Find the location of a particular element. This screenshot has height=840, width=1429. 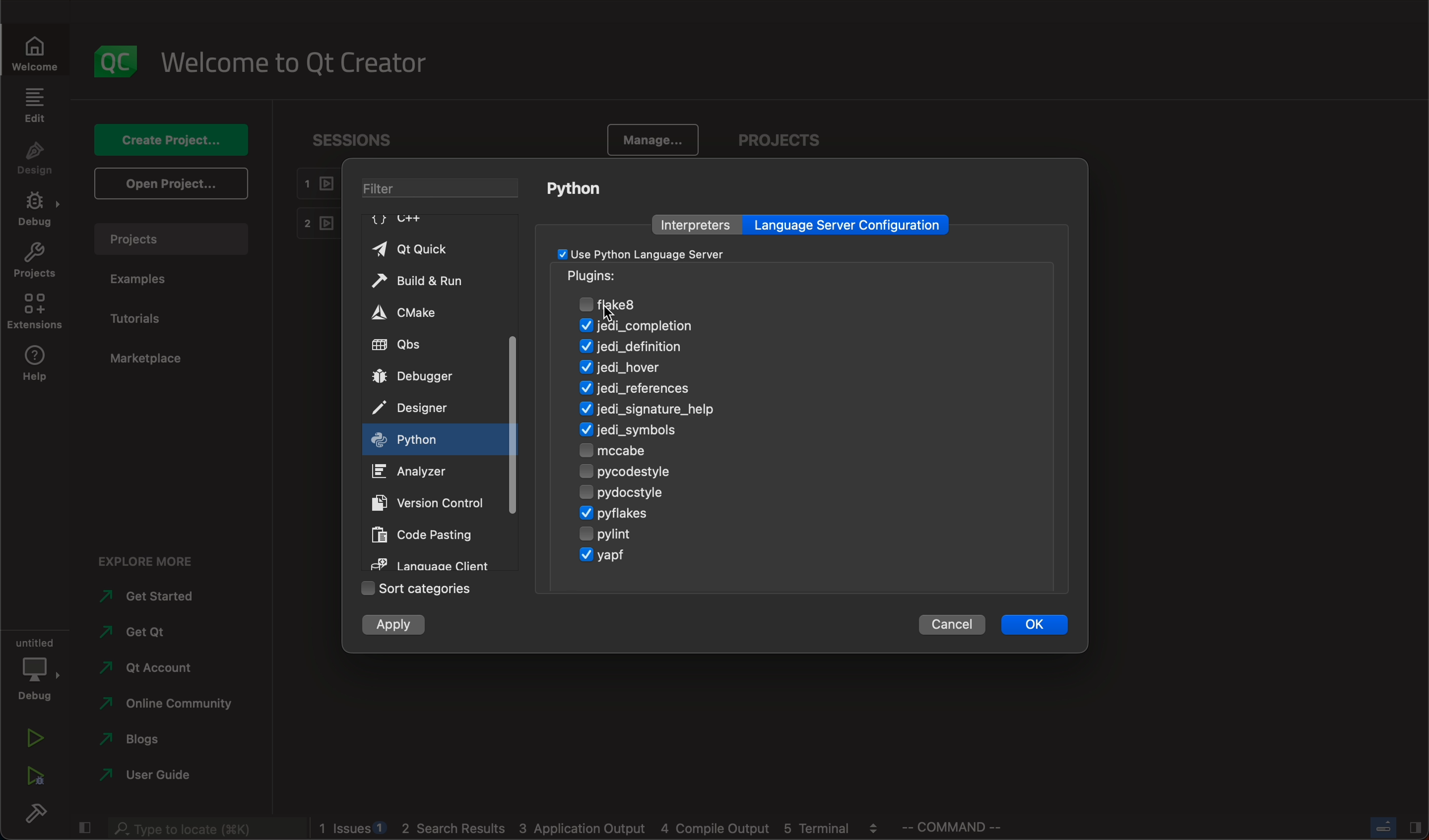

scrollbar is located at coordinates (511, 394).